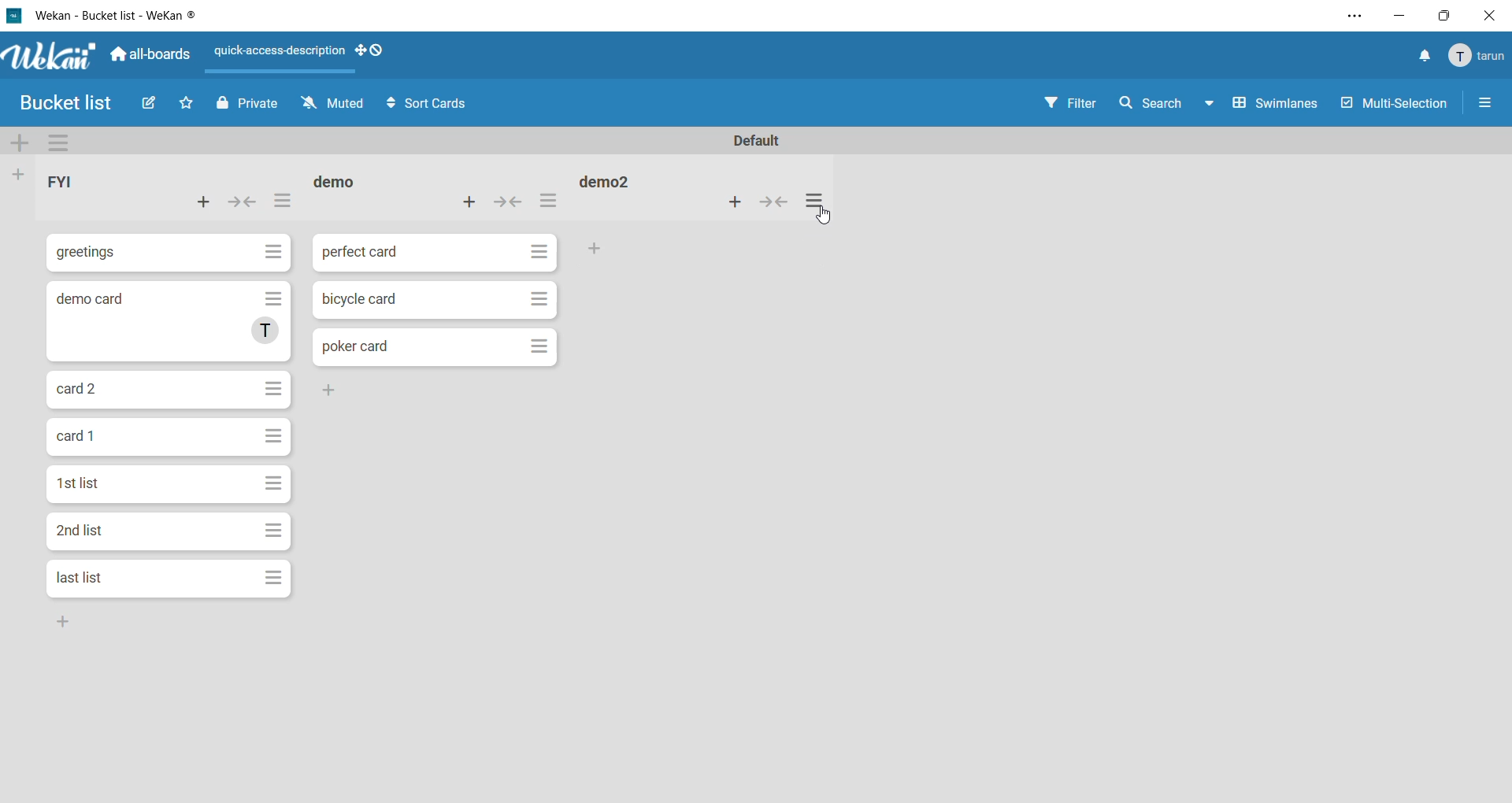 This screenshot has width=1512, height=803. I want to click on Filter, so click(1070, 102).